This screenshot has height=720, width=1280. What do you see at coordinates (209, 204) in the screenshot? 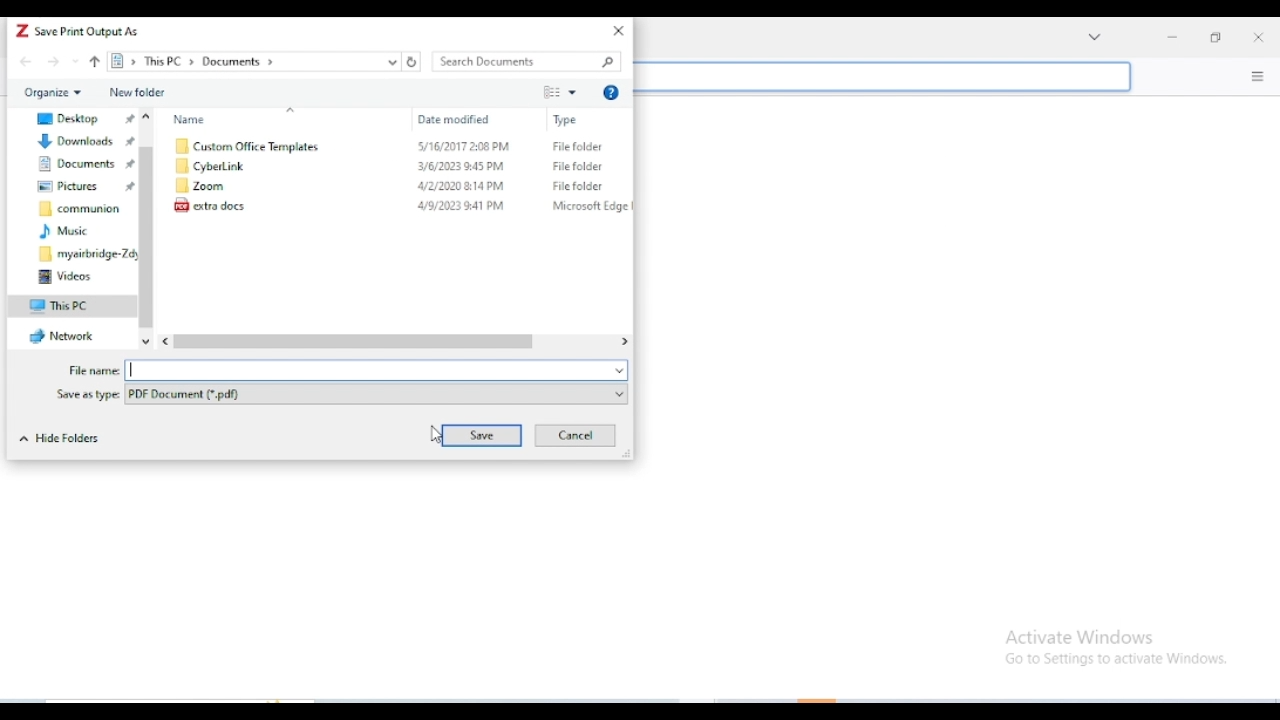
I see `extra docs document` at bounding box center [209, 204].